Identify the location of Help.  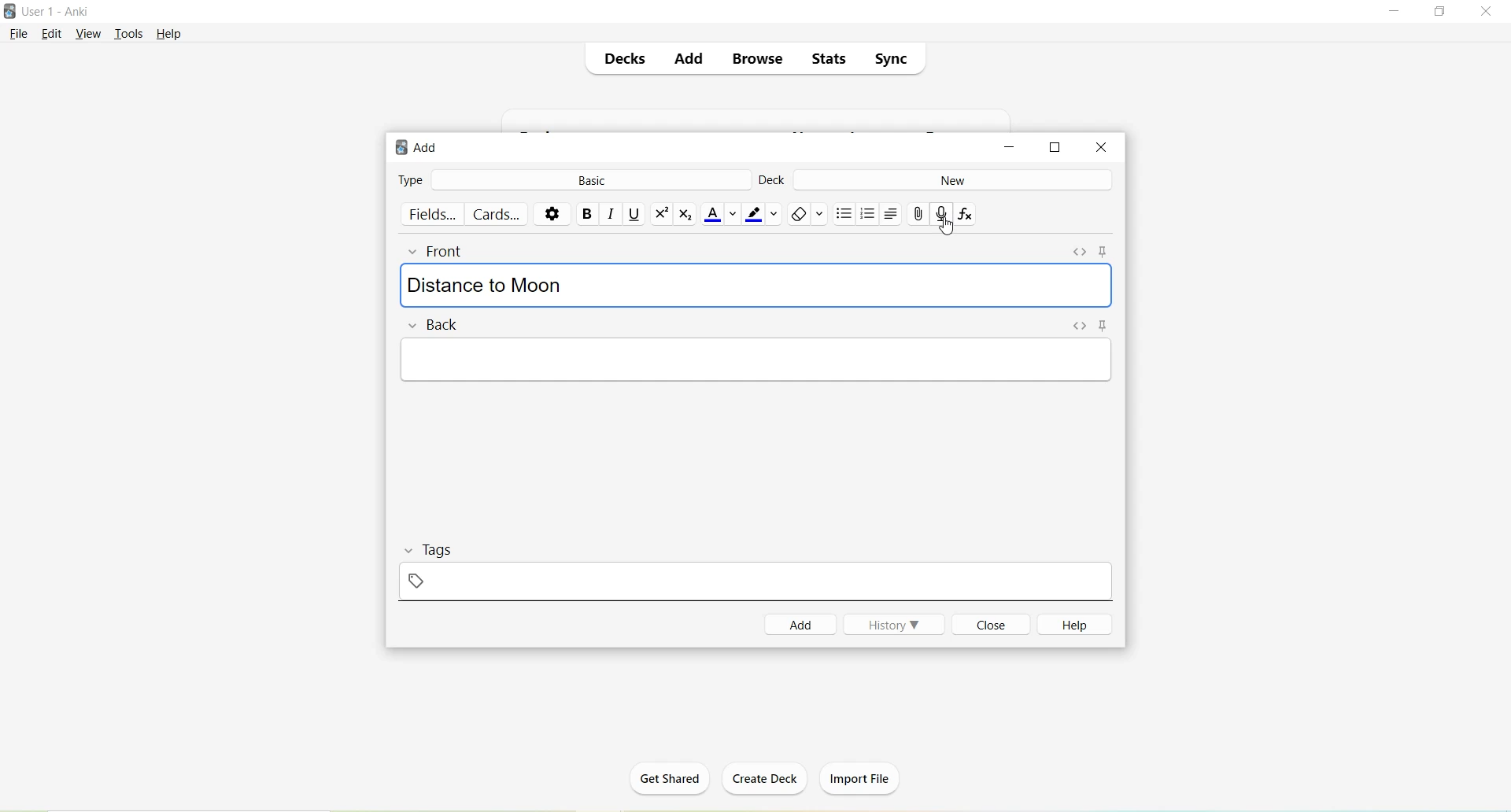
(169, 35).